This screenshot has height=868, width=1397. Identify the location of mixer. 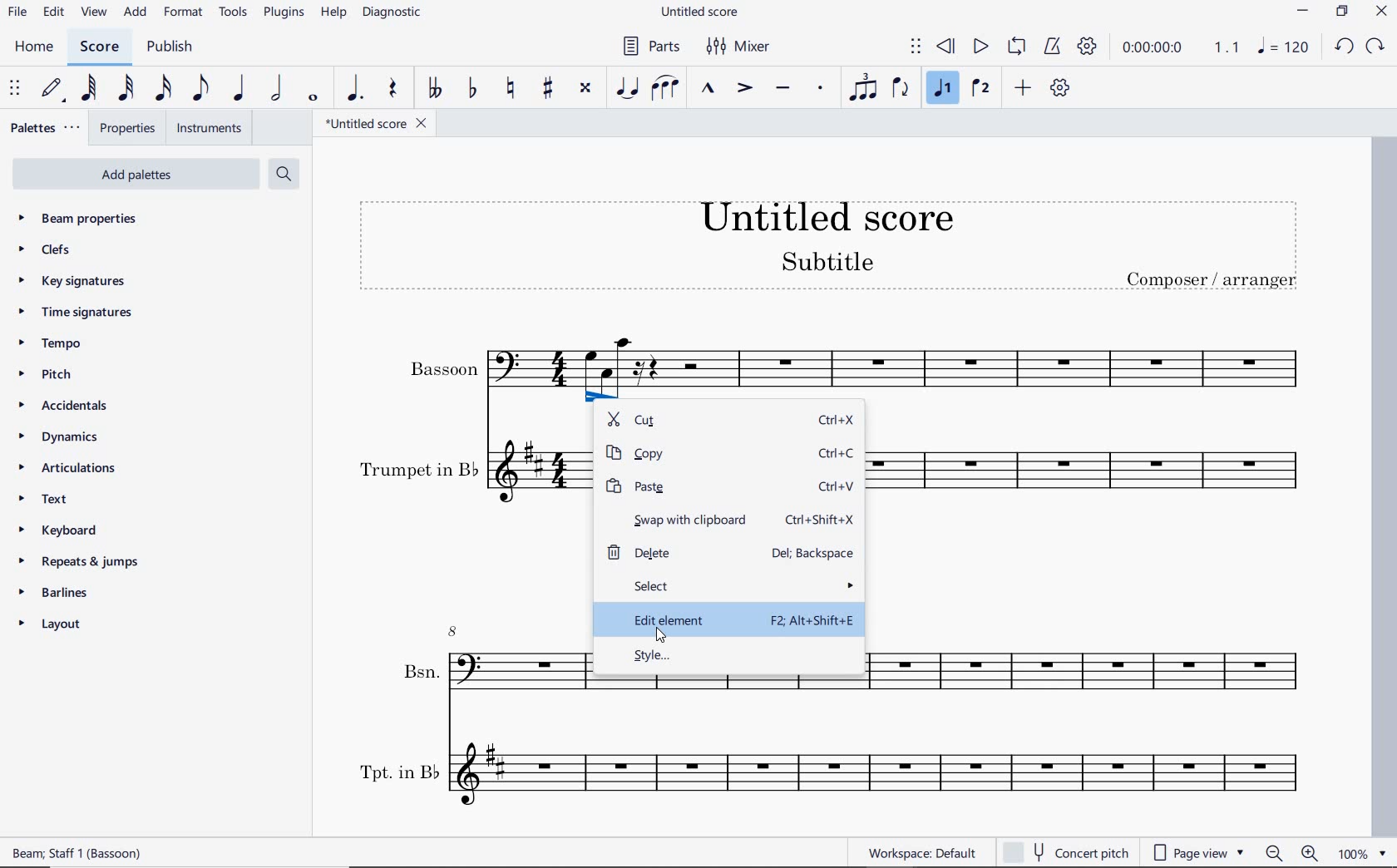
(739, 47).